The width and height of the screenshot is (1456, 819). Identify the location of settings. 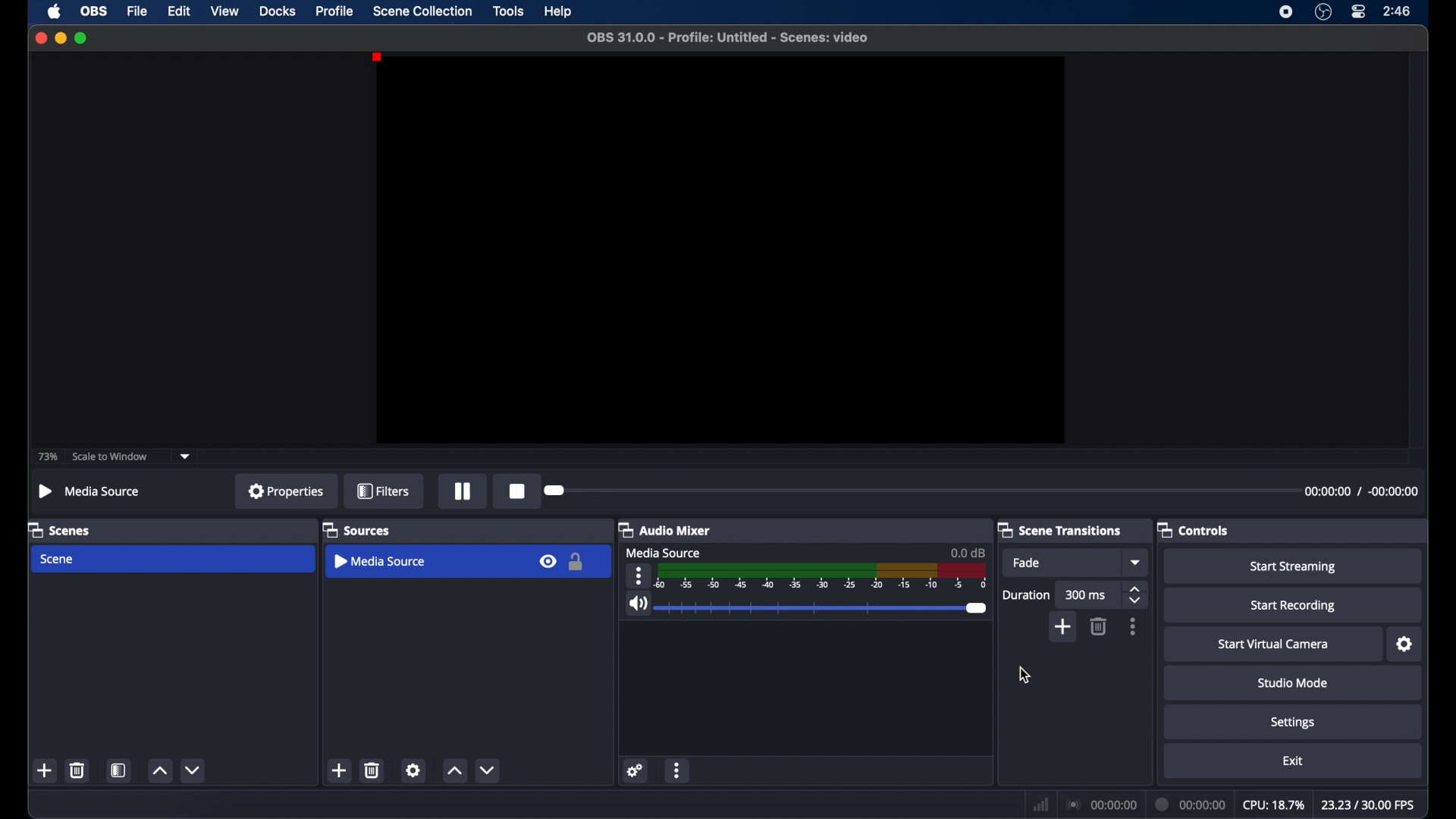
(635, 770).